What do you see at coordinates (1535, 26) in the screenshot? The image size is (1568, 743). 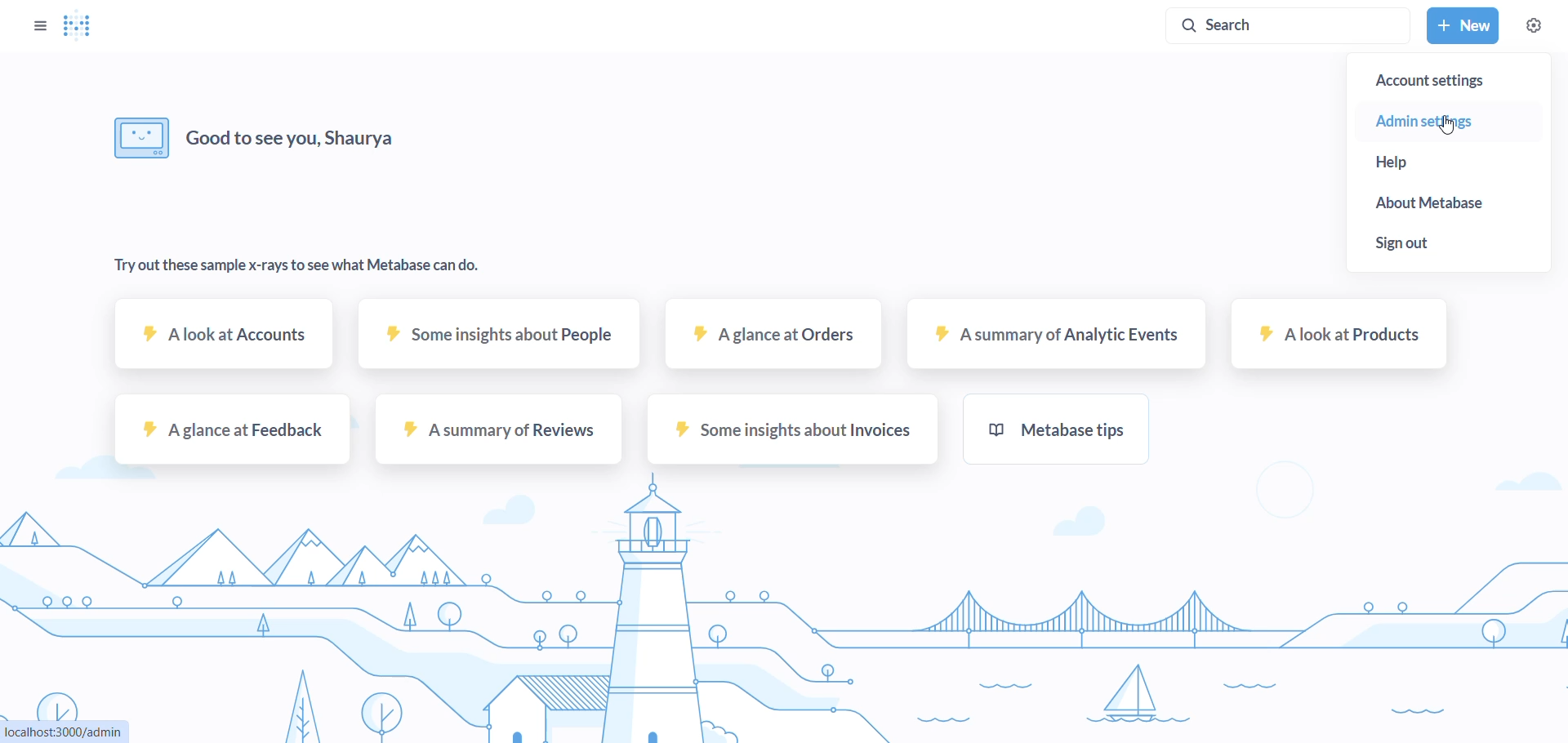 I see `settings` at bounding box center [1535, 26].